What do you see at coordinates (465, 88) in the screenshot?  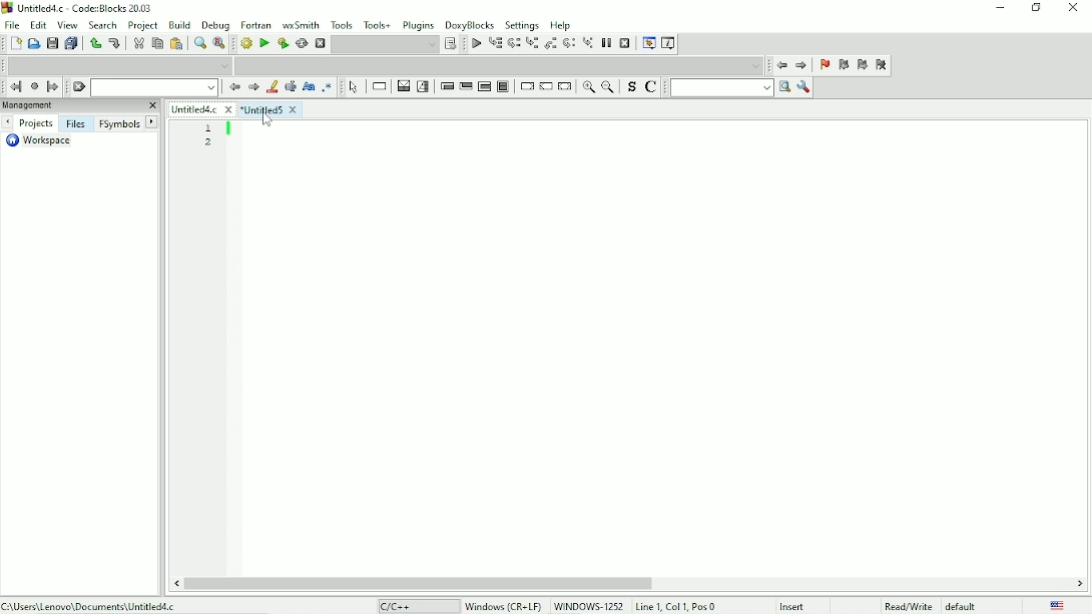 I see `Exit condition loop` at bounding box center [465, 88].